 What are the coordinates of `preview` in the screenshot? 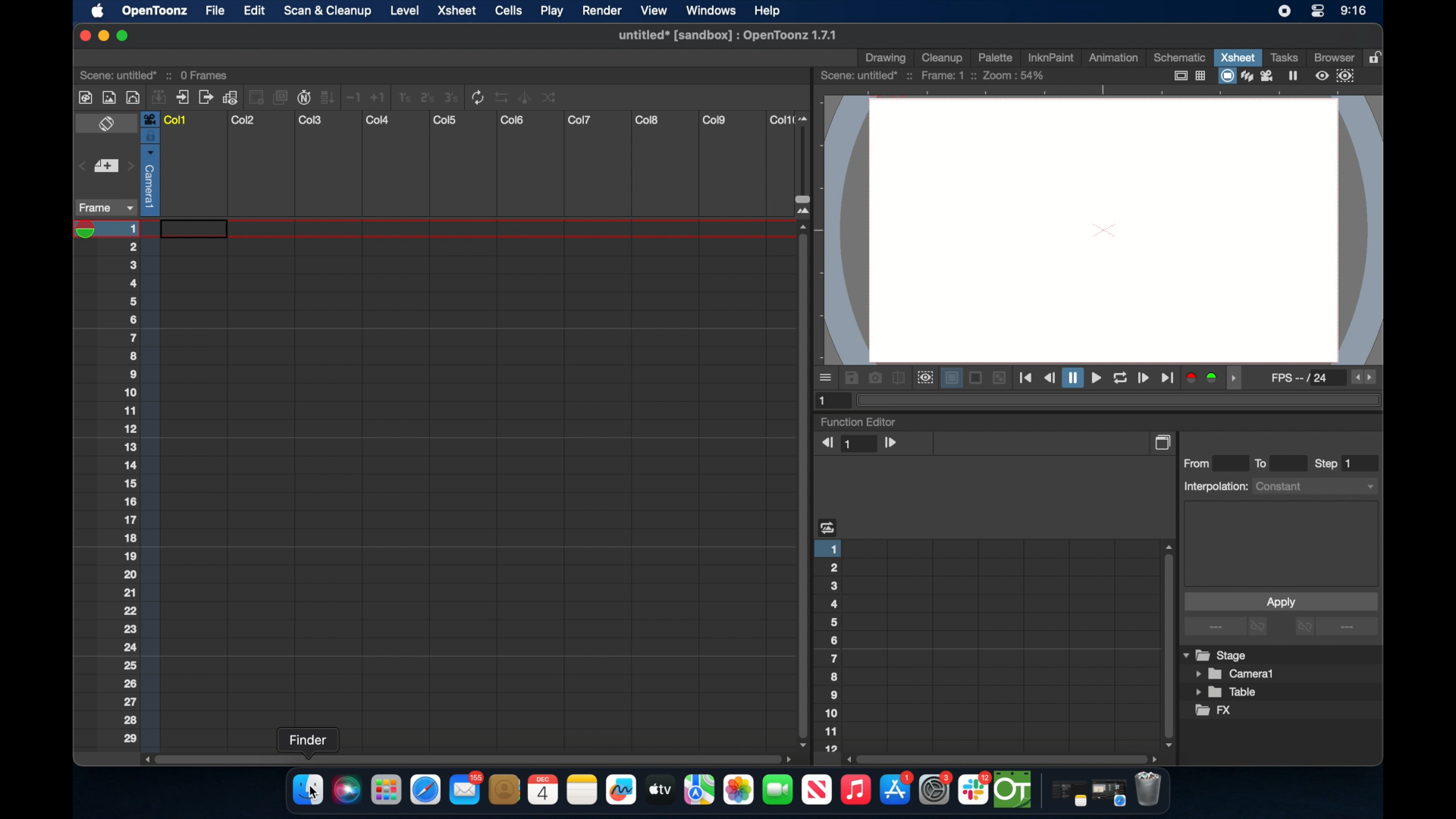 It's located at (924, 378).